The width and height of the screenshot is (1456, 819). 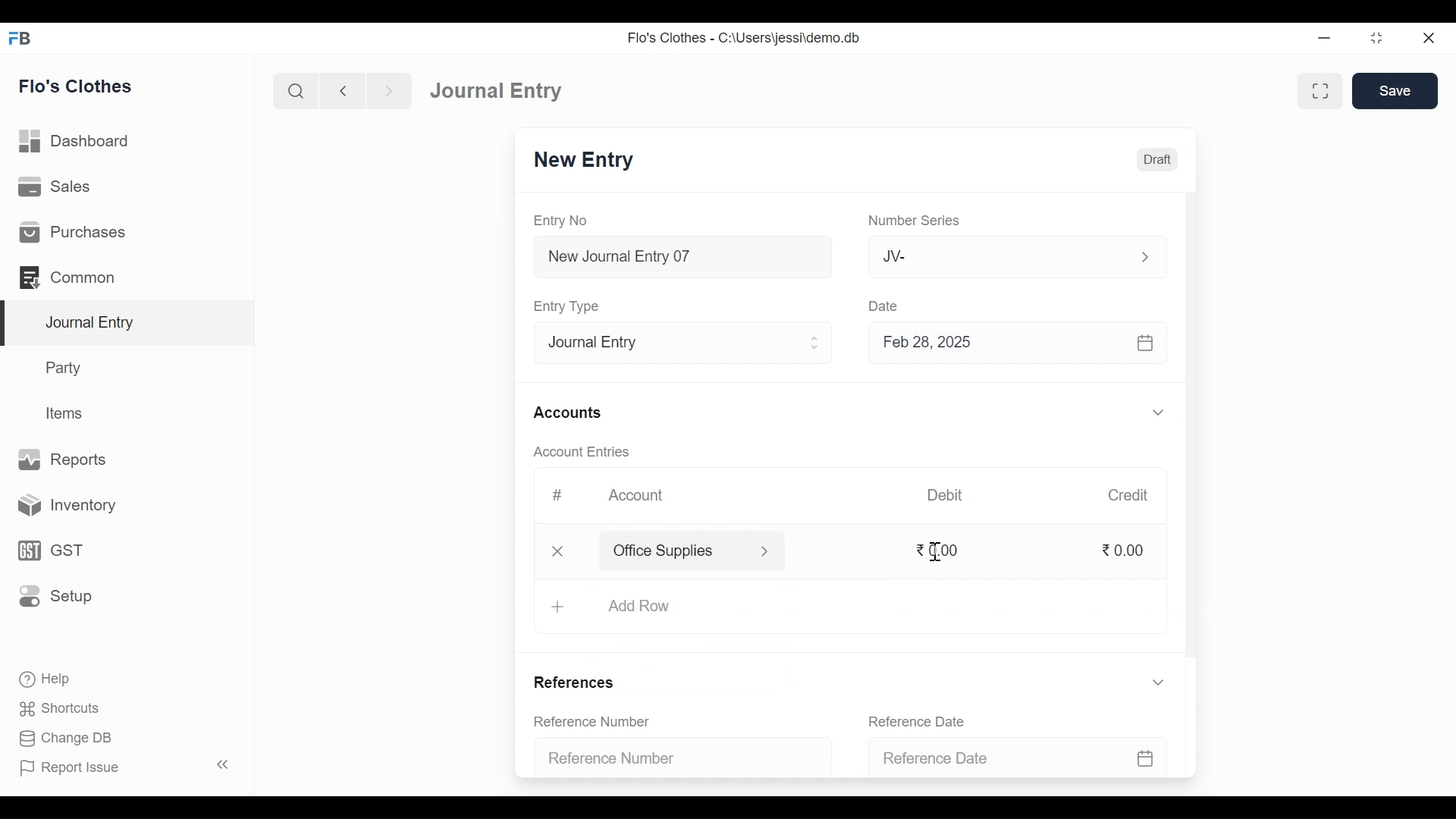 What do you see at coordinates (684, 259) in the screenshot?
I see `New Journal Entry 07` at bounding box center [684, 259].